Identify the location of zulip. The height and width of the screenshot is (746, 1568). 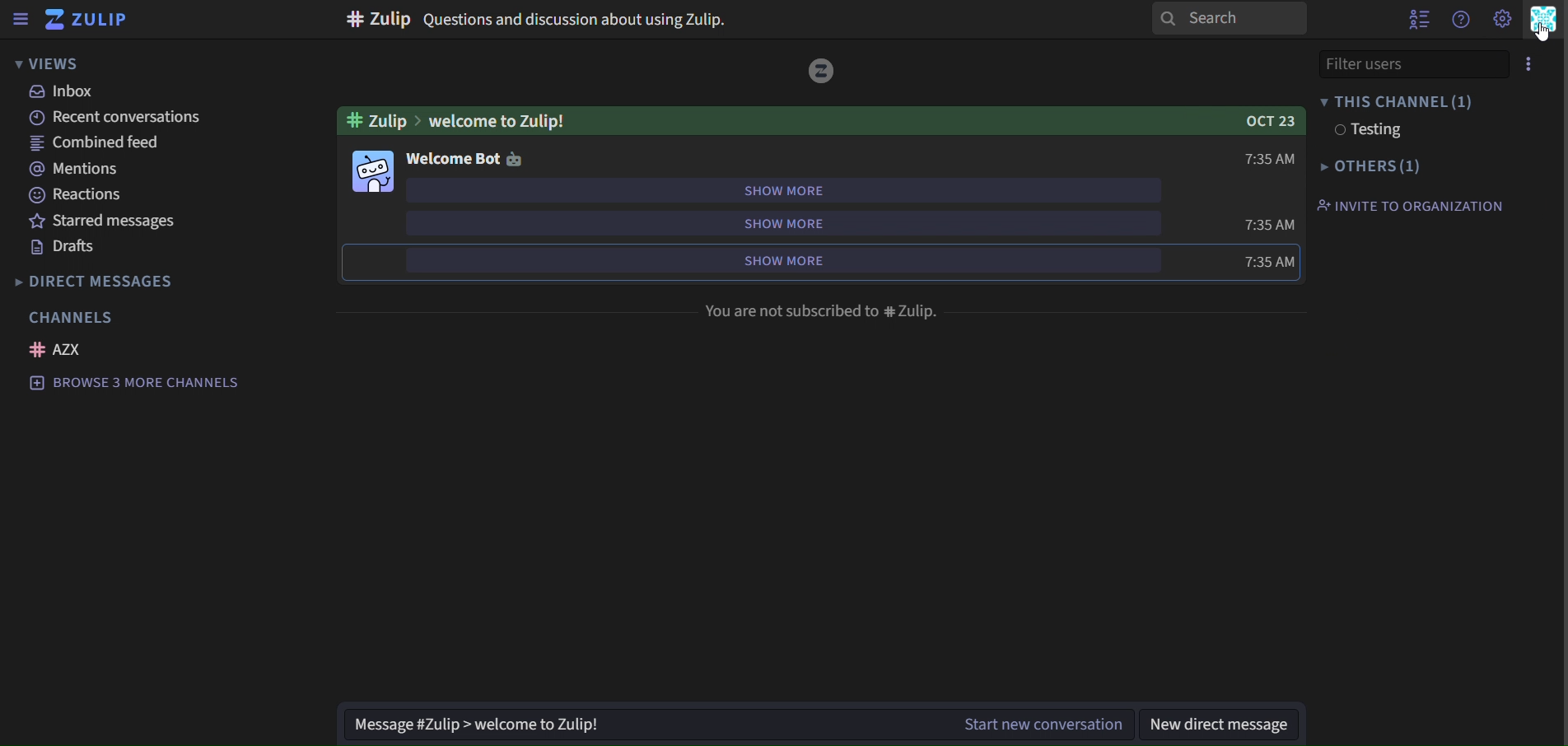
(88, 19).